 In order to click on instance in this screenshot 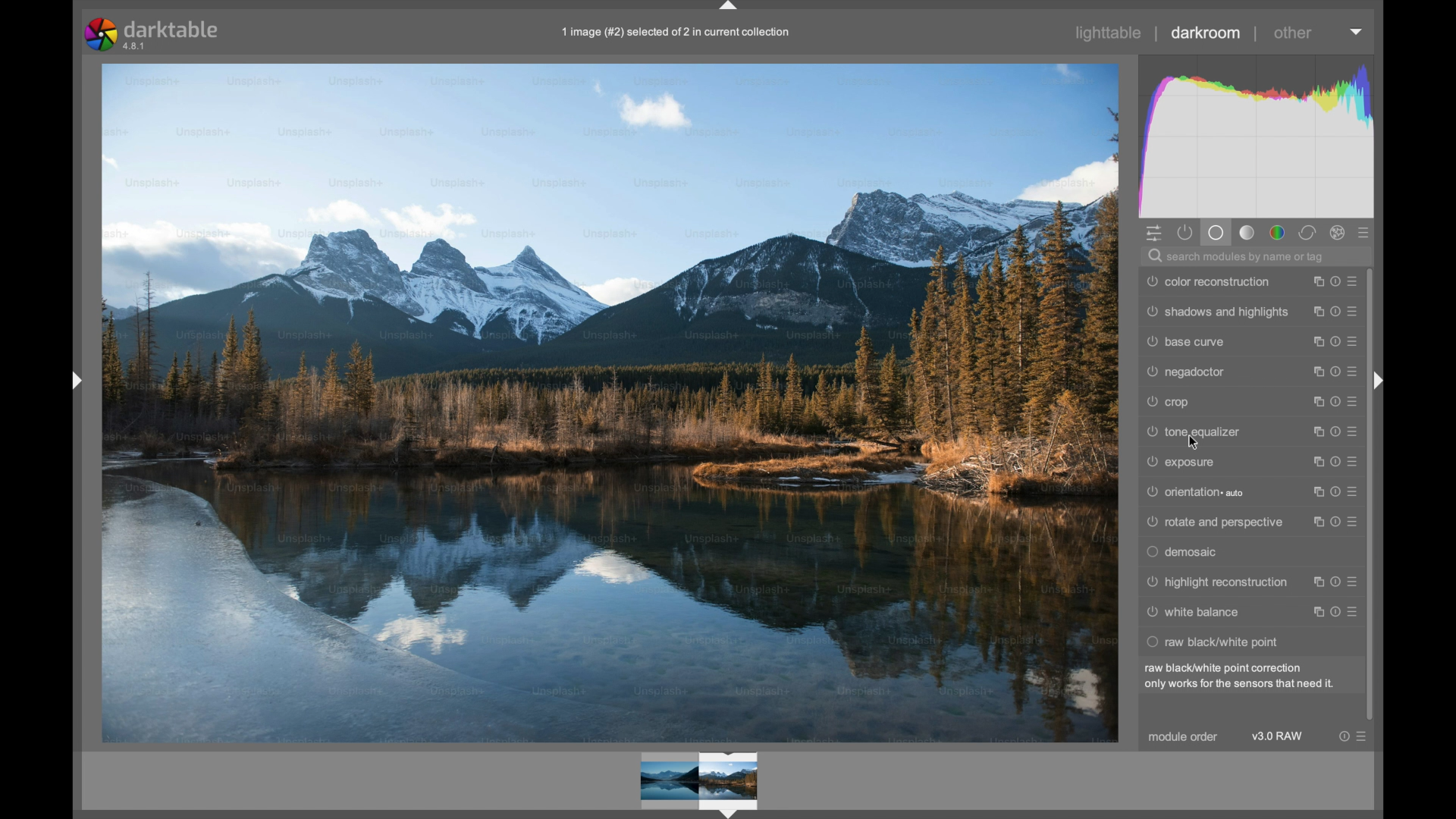, I will do `click(1313, 462)`.